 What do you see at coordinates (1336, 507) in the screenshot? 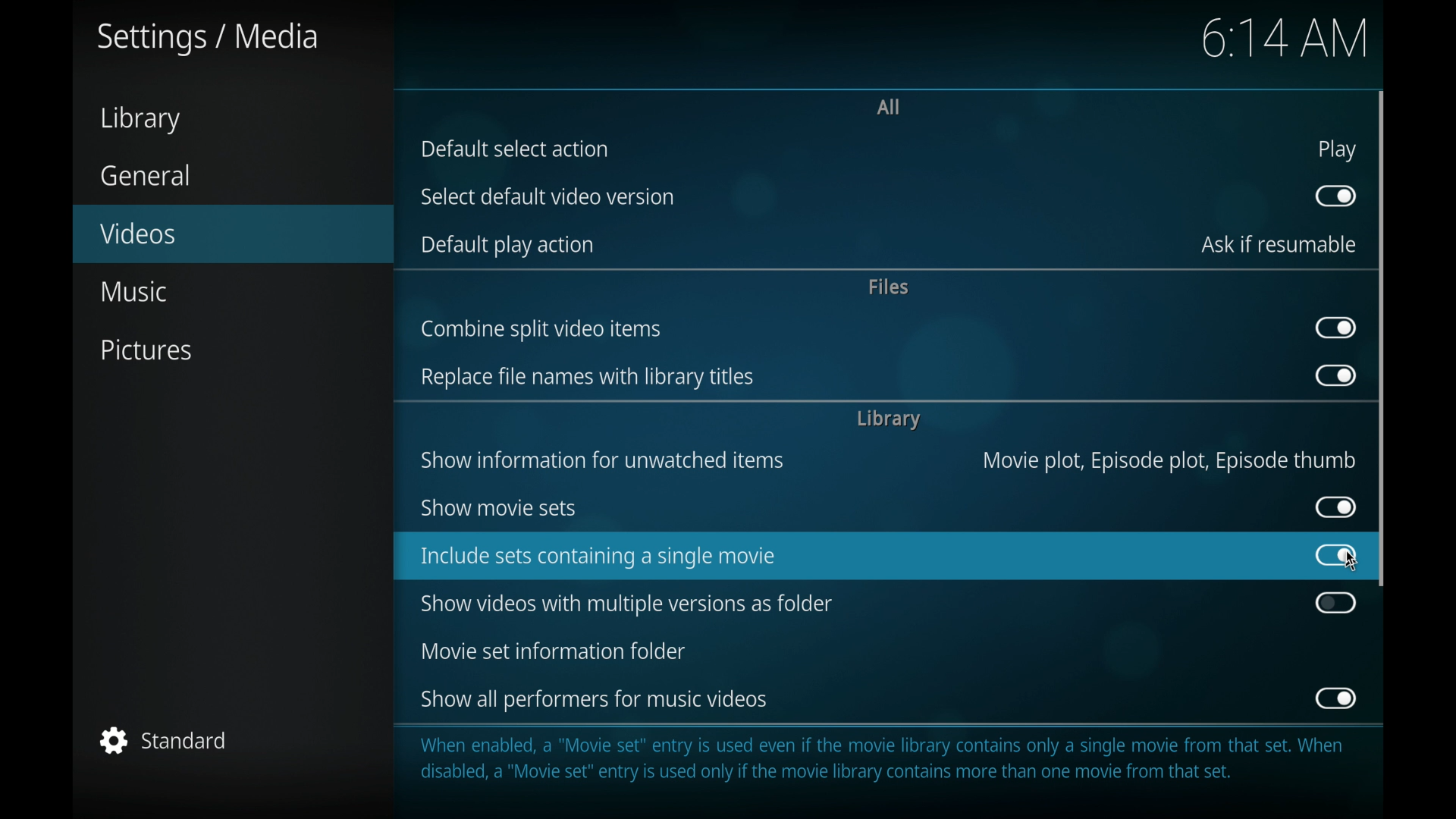
I see `toggle button` at bounding box center [1336, 507].